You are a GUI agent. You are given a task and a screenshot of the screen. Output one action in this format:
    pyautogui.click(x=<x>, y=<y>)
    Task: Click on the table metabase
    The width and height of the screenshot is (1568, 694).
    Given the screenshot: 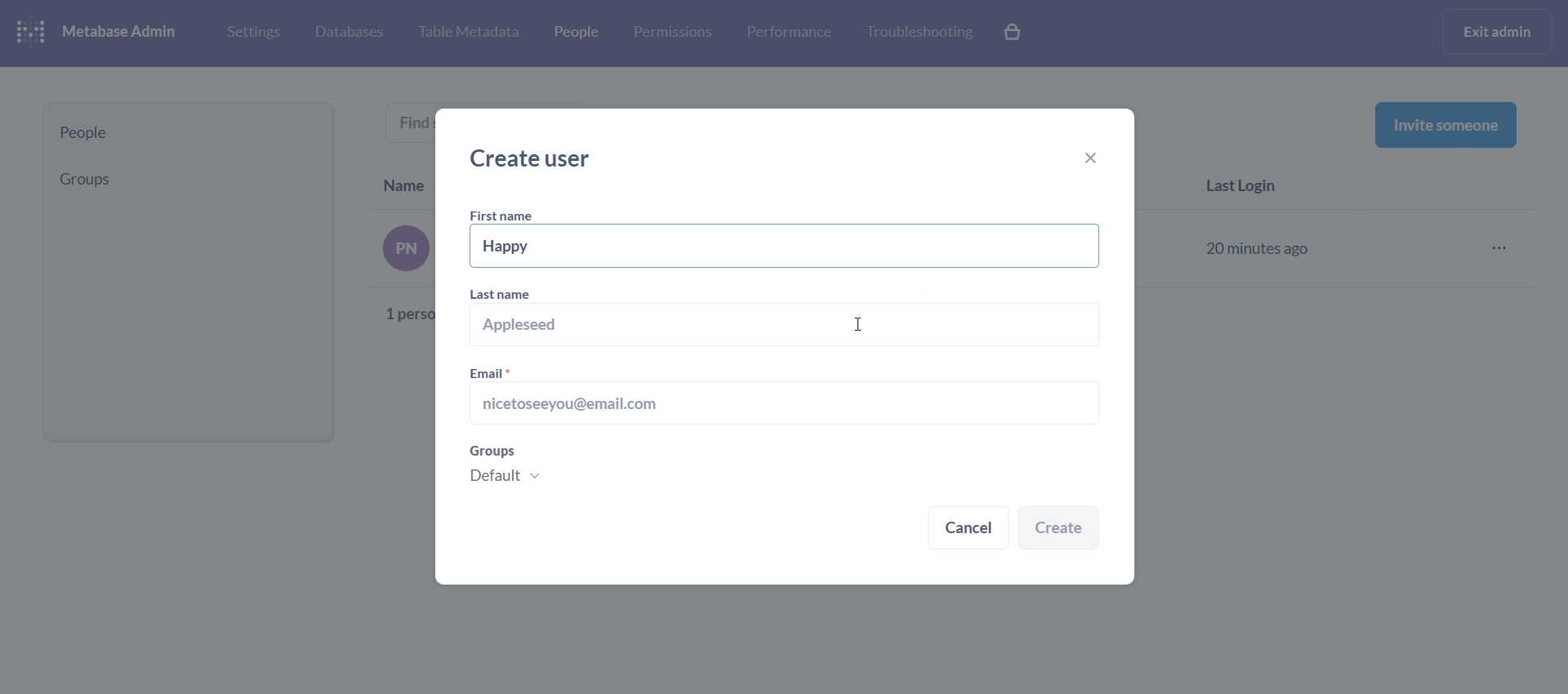 What is the action you would take?
    pyautogui.click(x=468, y=33)
    